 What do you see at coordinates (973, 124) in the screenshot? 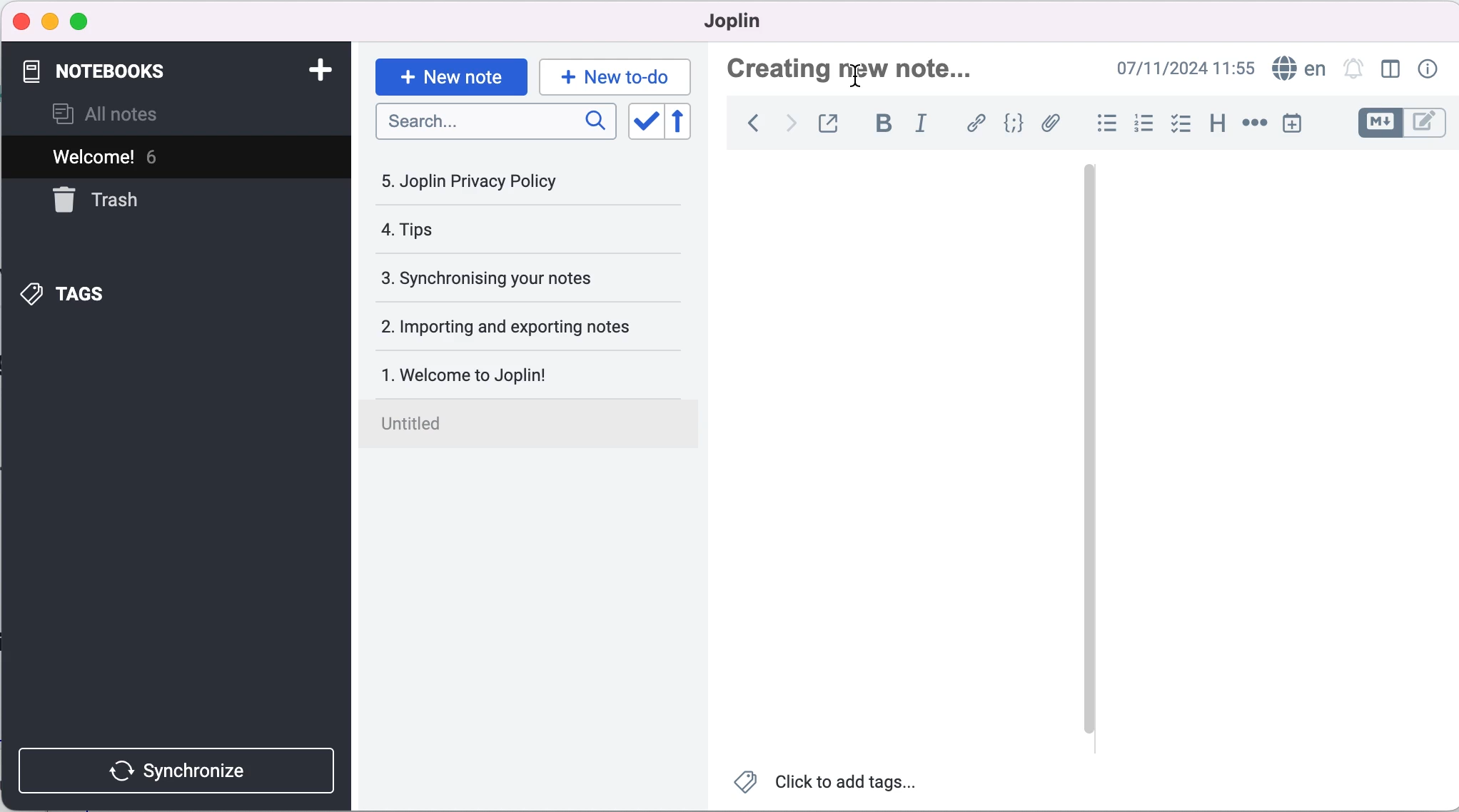
I see `hyperlink` at bounding box center [973, 124].